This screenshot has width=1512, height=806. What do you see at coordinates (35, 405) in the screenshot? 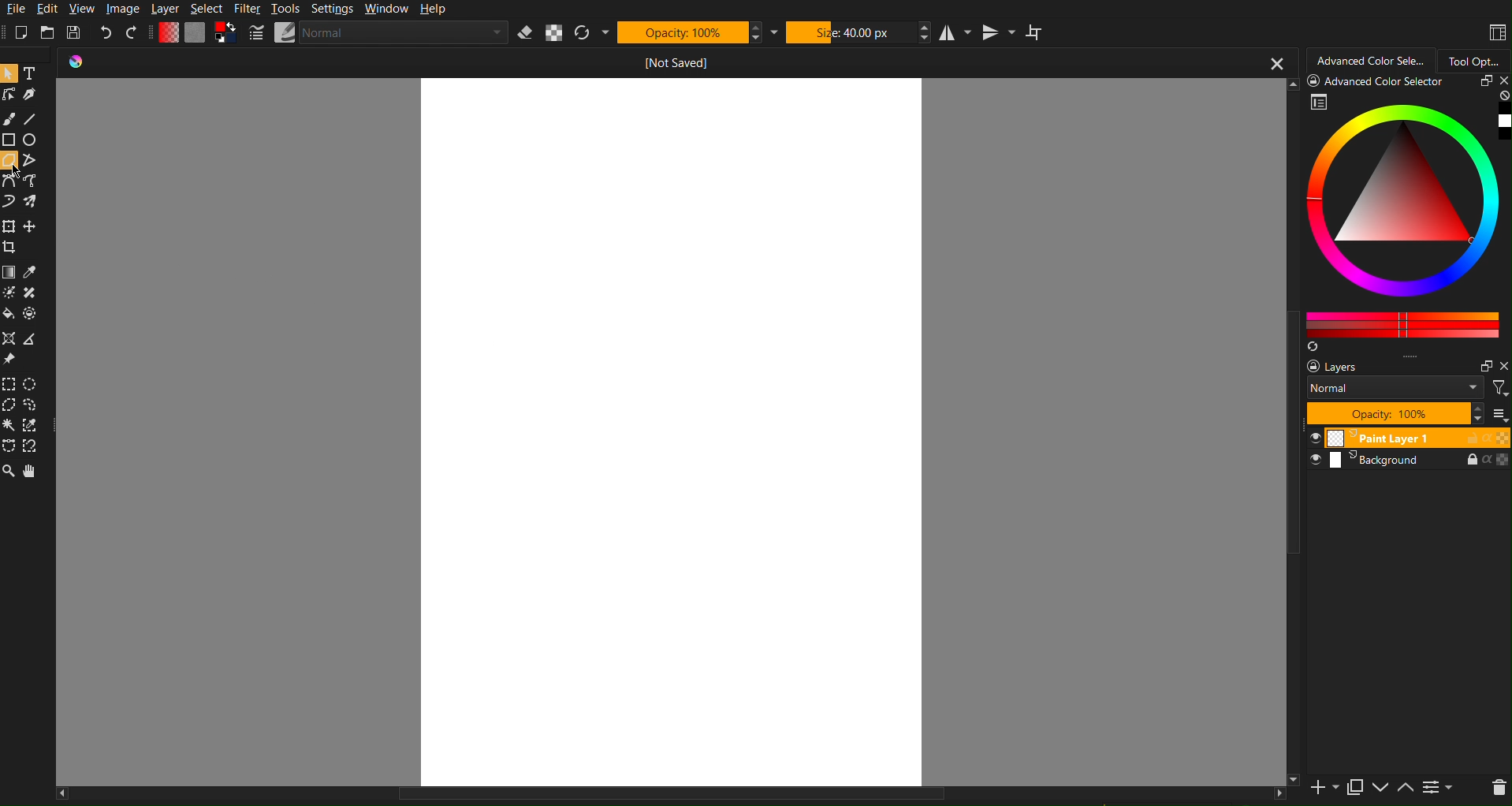
I see `freehand Selection Tools` at bounding box center [35, 405].